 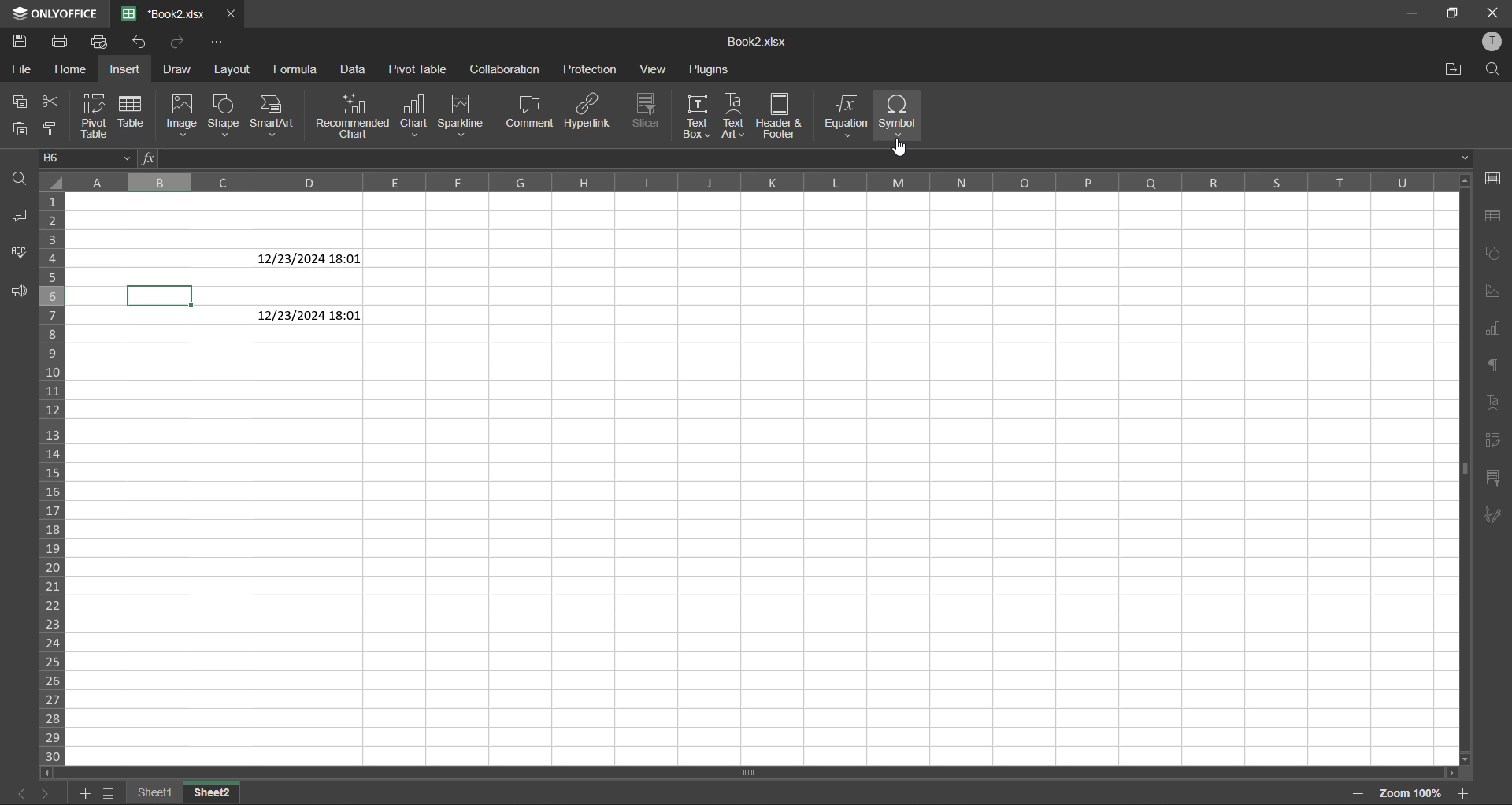 I want to click on zoom factor, so click(x=1412, y=792).